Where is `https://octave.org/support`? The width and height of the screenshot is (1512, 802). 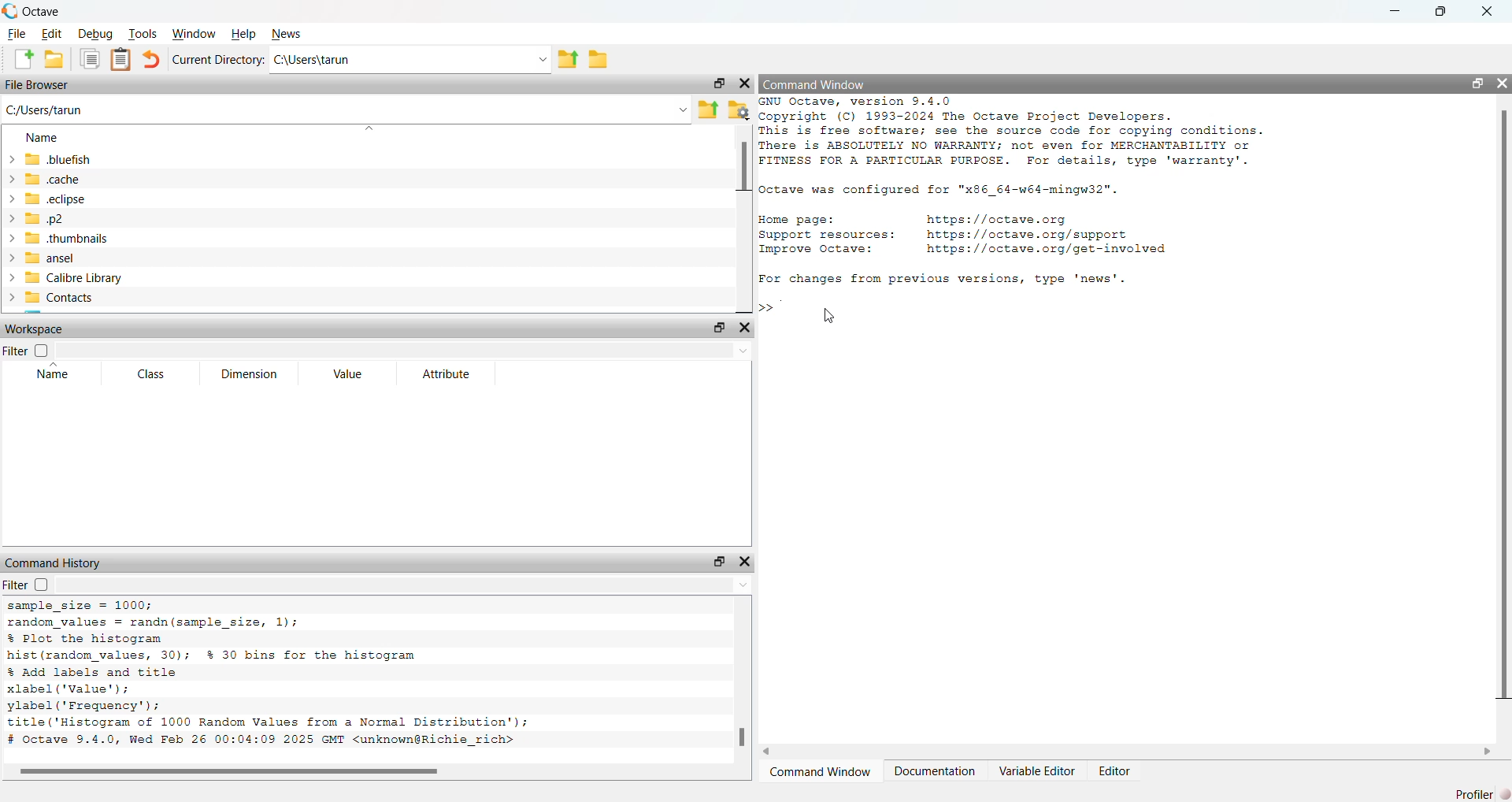 https://octave.org/support is located at coordinates (1027, 233).